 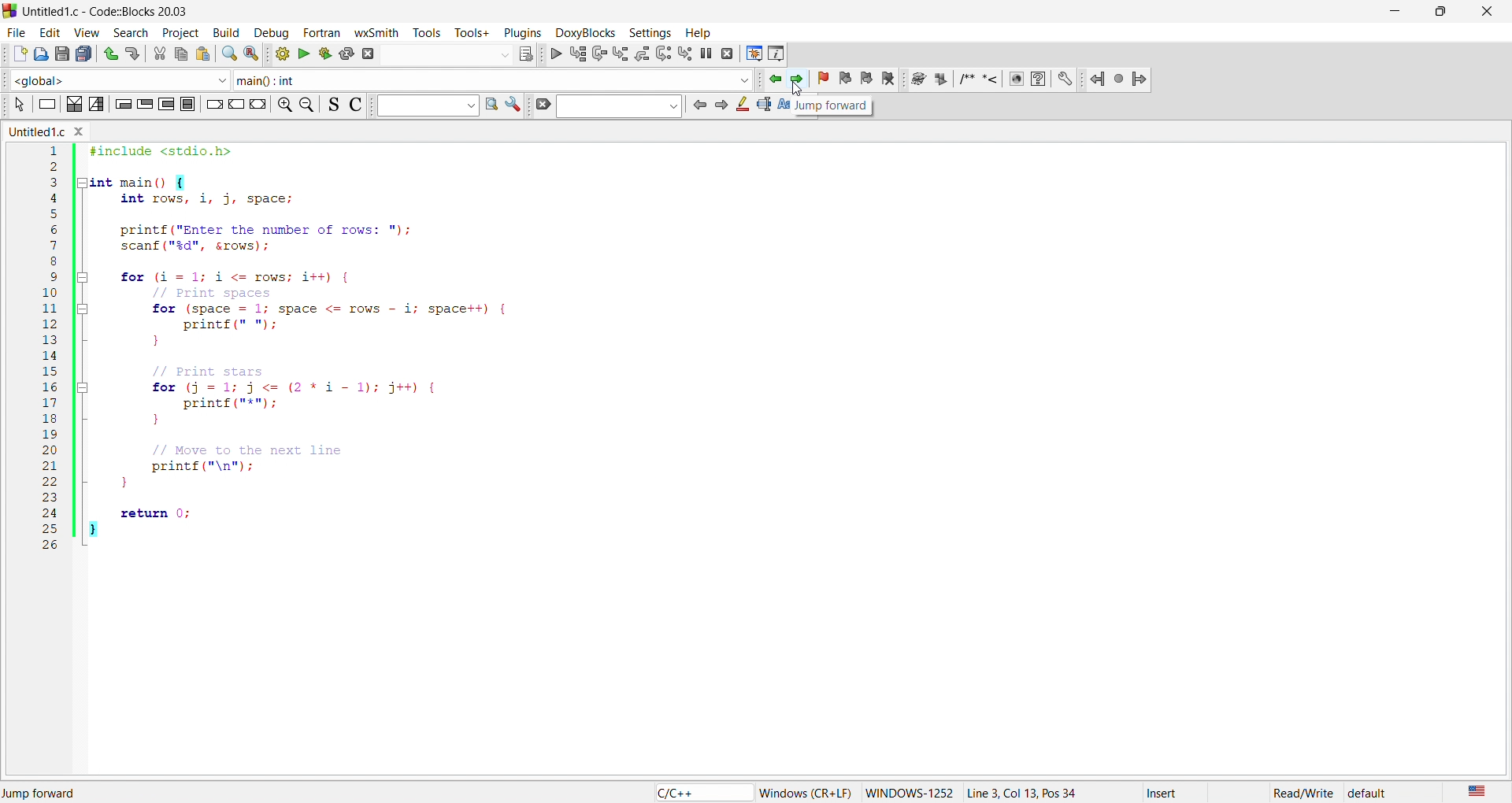 What do you see at coordinates (201, 51) in the screenshot?
I see `paste` at bounding box center [201, 51].